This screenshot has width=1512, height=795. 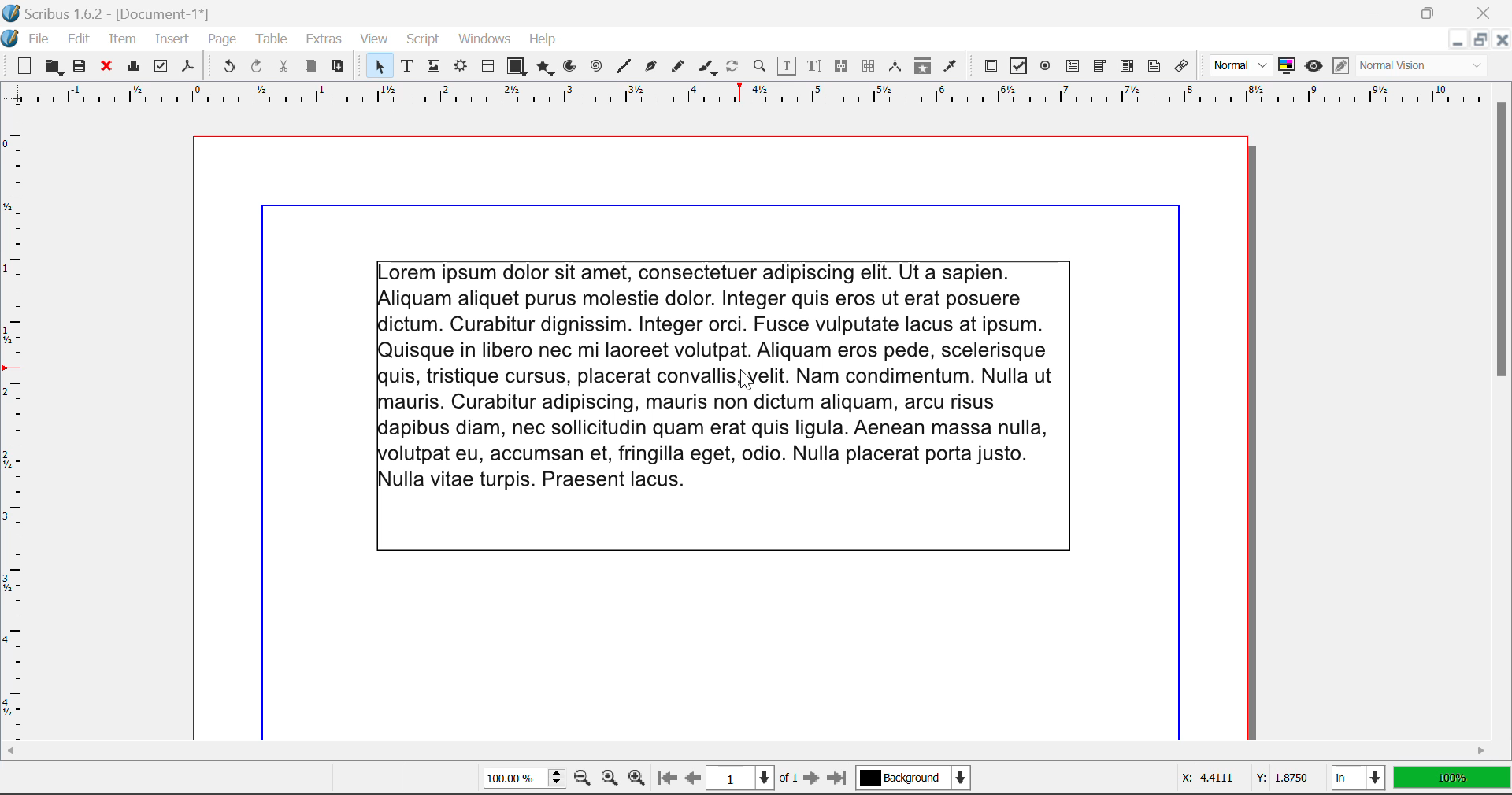 I want to click on PDF List Box, so click(x=1128, y=66).